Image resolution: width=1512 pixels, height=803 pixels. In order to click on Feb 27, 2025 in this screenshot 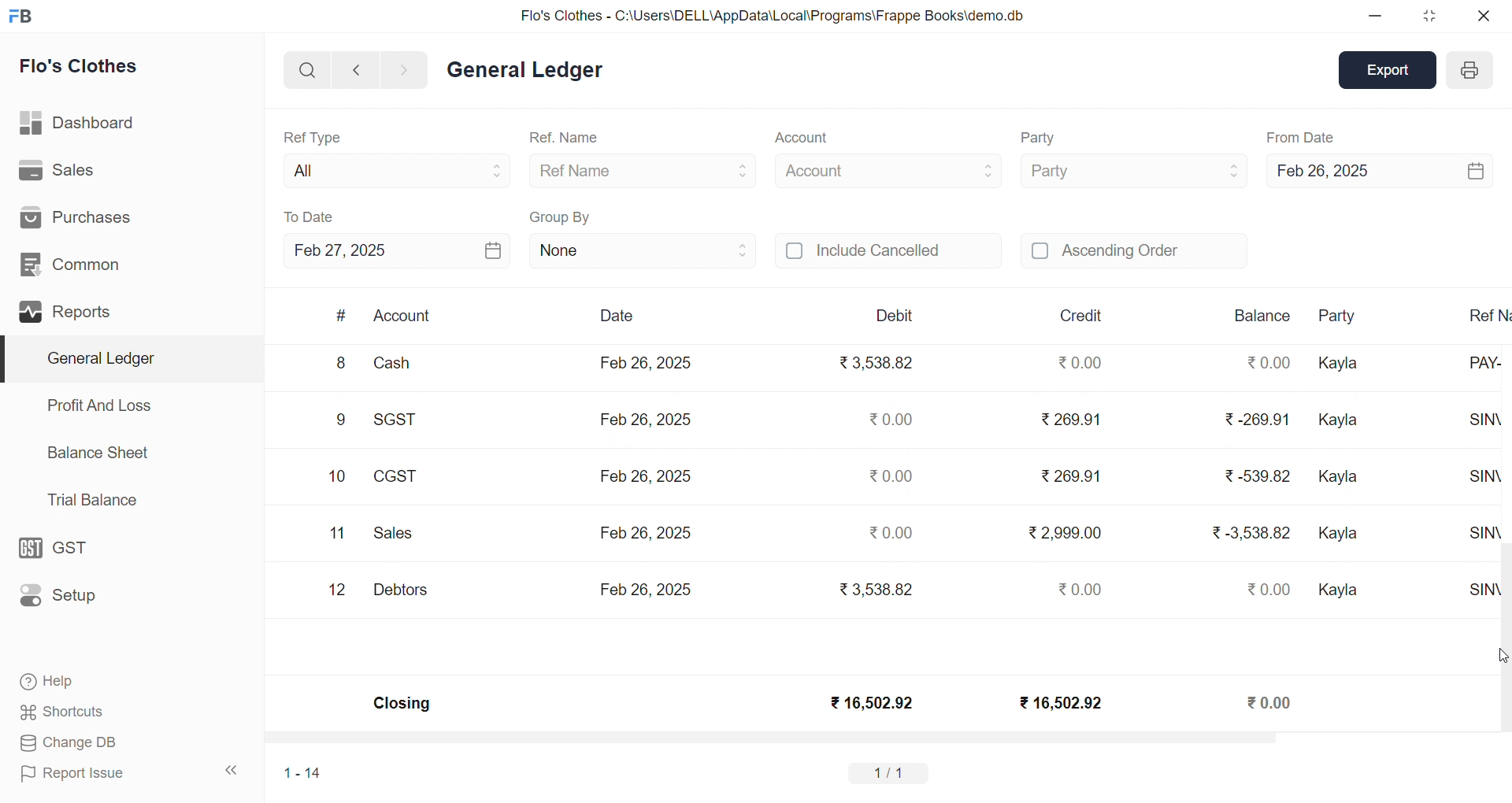, I will do `click(397, 250)`.